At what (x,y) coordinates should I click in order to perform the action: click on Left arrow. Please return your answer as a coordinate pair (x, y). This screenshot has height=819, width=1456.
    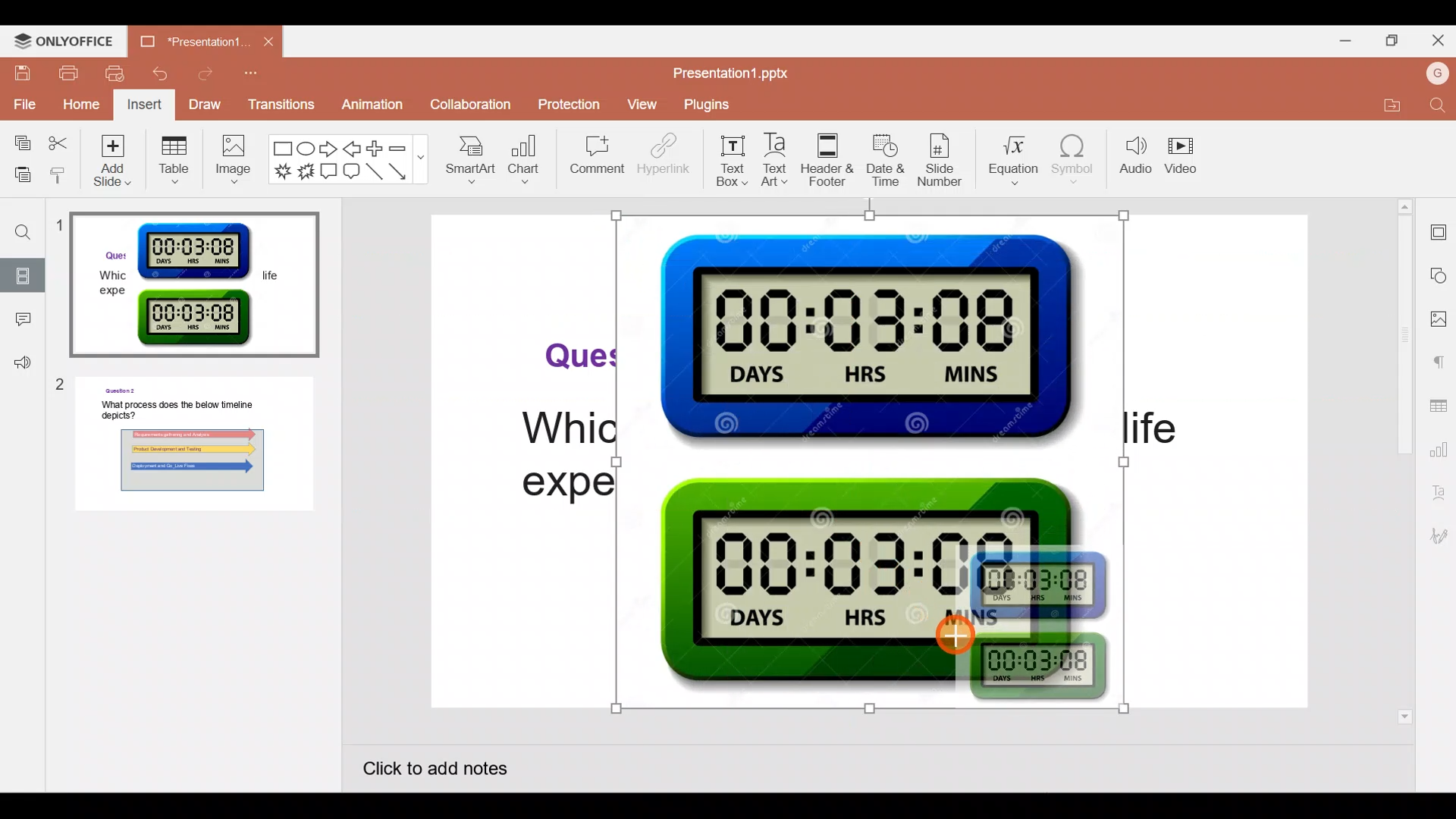
    Looking at the image, I should click on (356, 149).